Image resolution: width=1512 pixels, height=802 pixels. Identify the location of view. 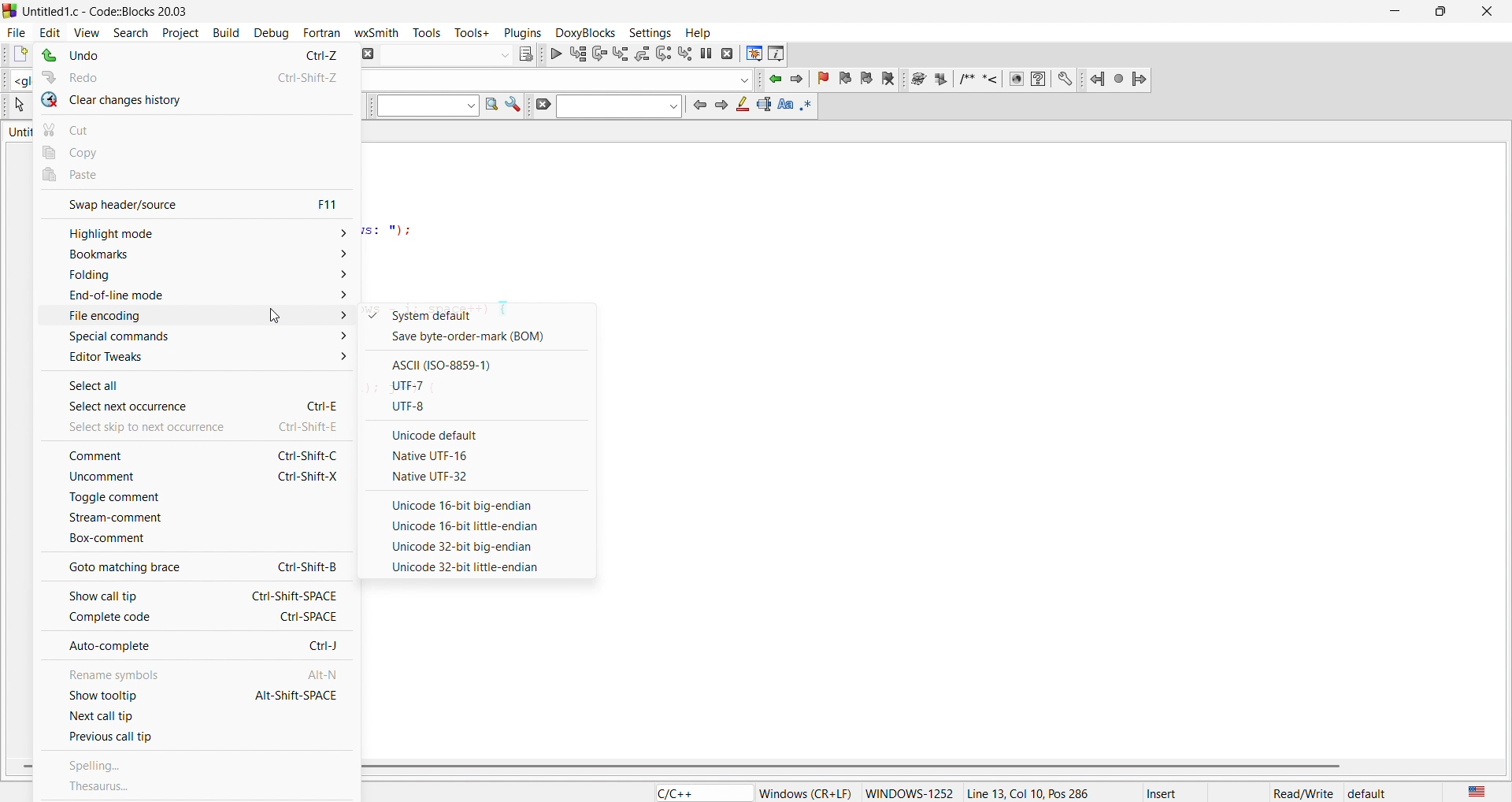
(88, 33).